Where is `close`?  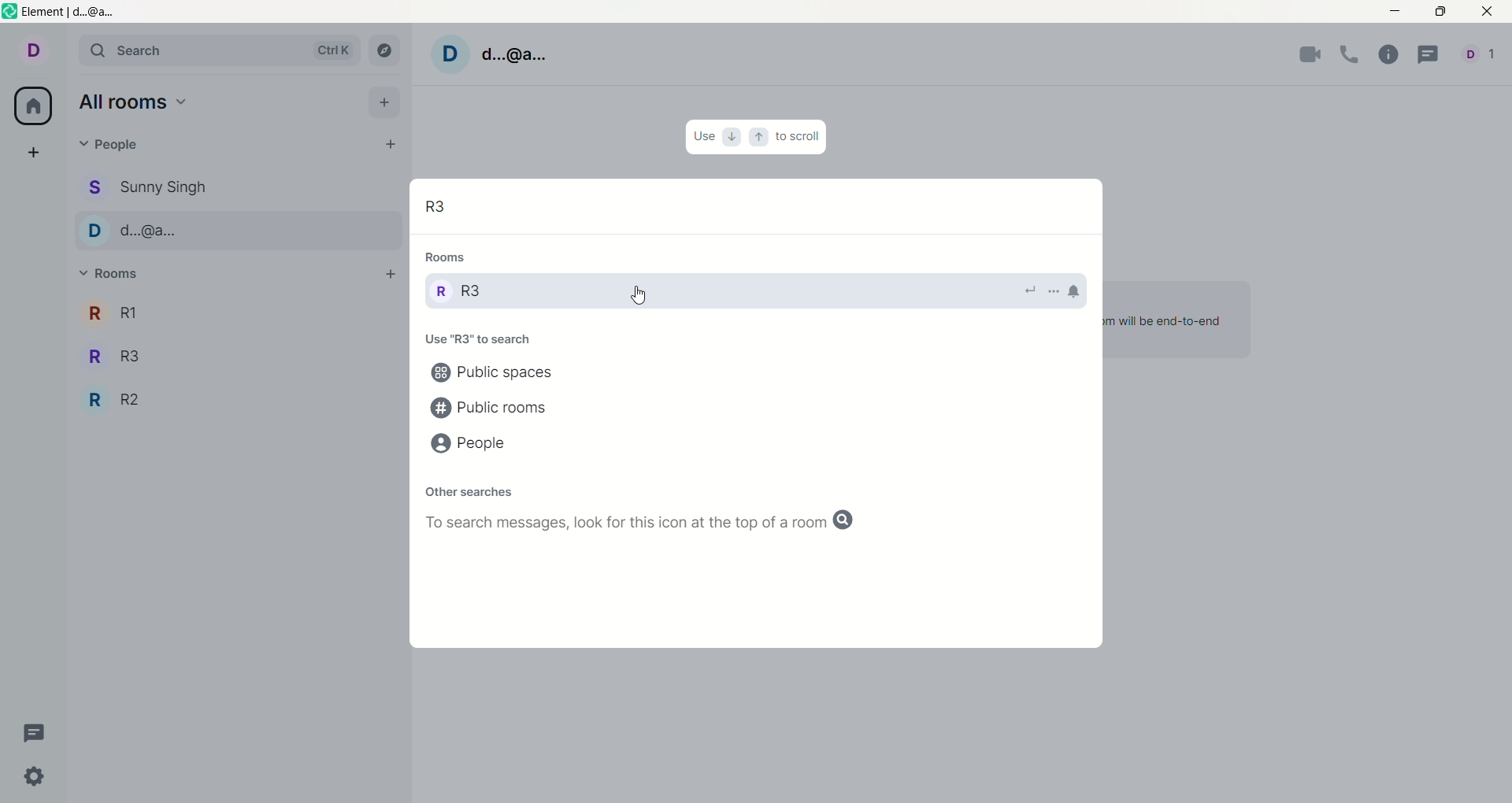 close is located at coordinates (1483, 13).